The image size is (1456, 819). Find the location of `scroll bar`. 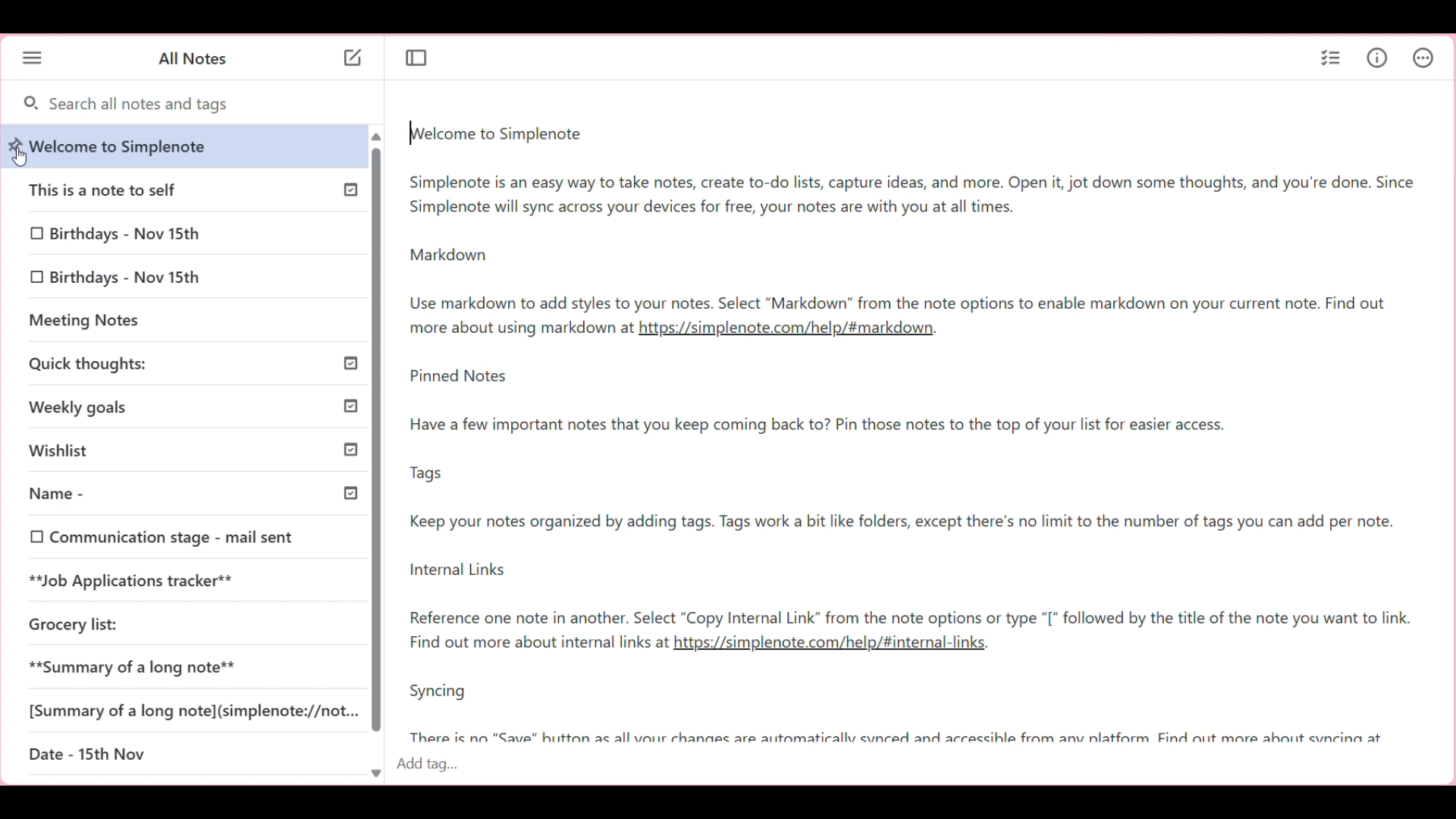

scroll bar is located at coordinates (377, 445).